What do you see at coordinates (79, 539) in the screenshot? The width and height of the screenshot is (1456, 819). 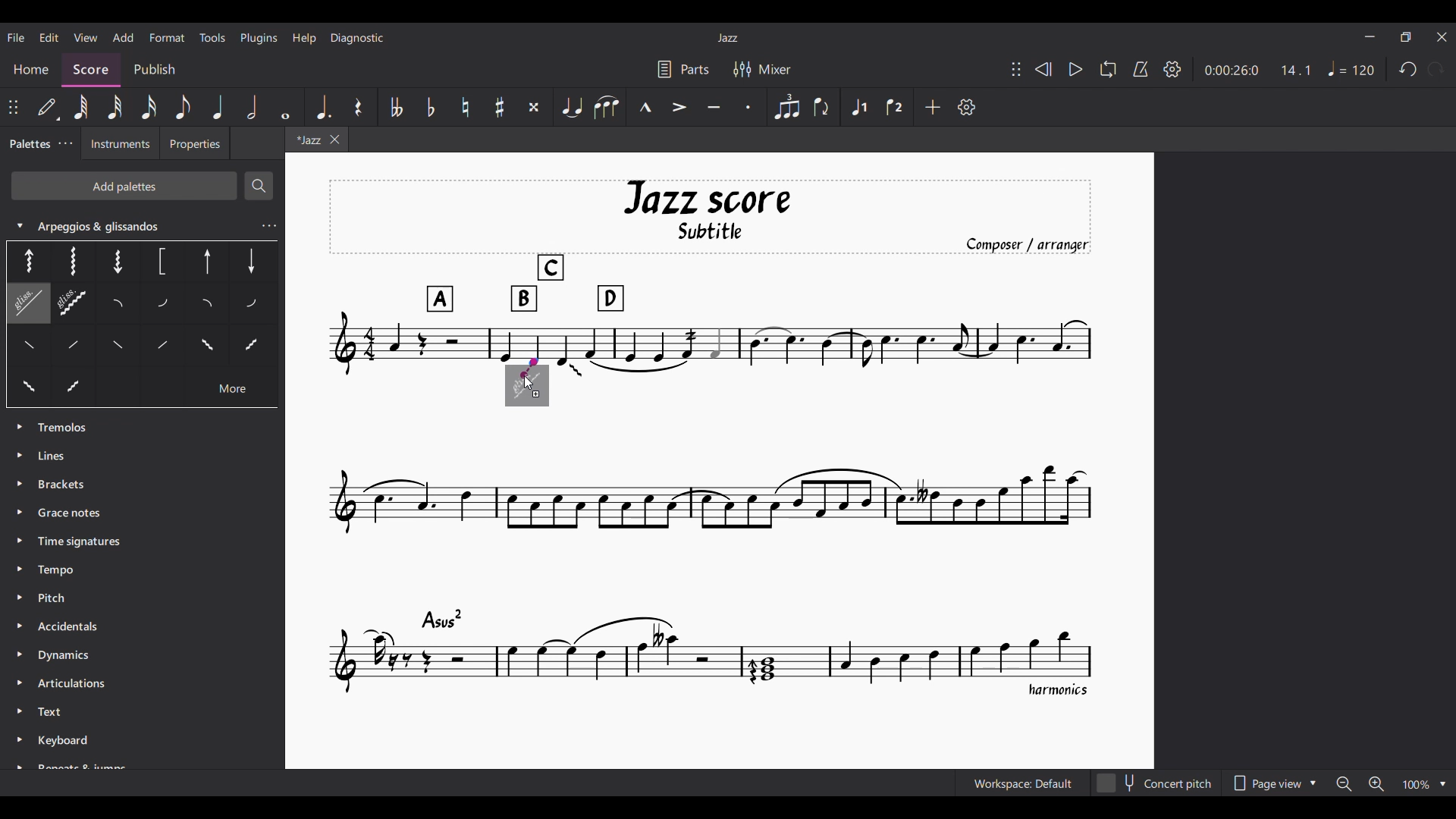 I see `Time signatures` at bounding box center [79, 539].